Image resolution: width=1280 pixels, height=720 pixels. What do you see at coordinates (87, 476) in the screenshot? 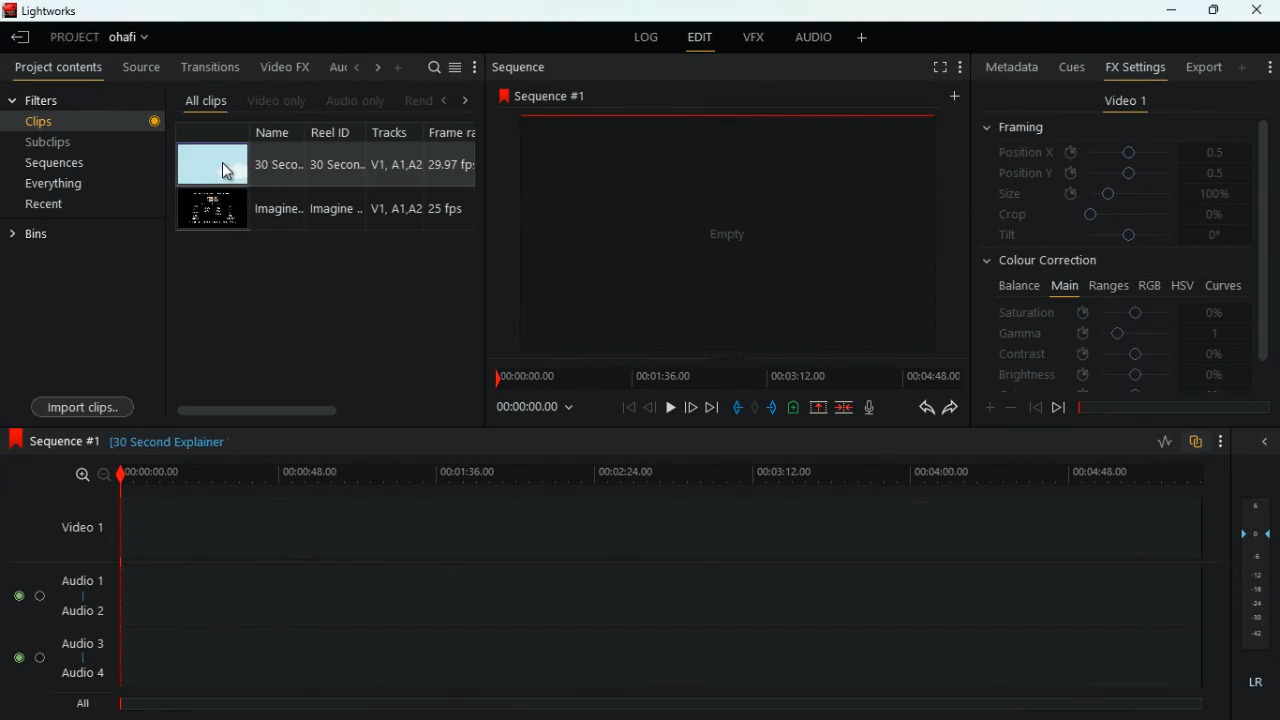
I see `zoom` at bounding box center [87, 476].